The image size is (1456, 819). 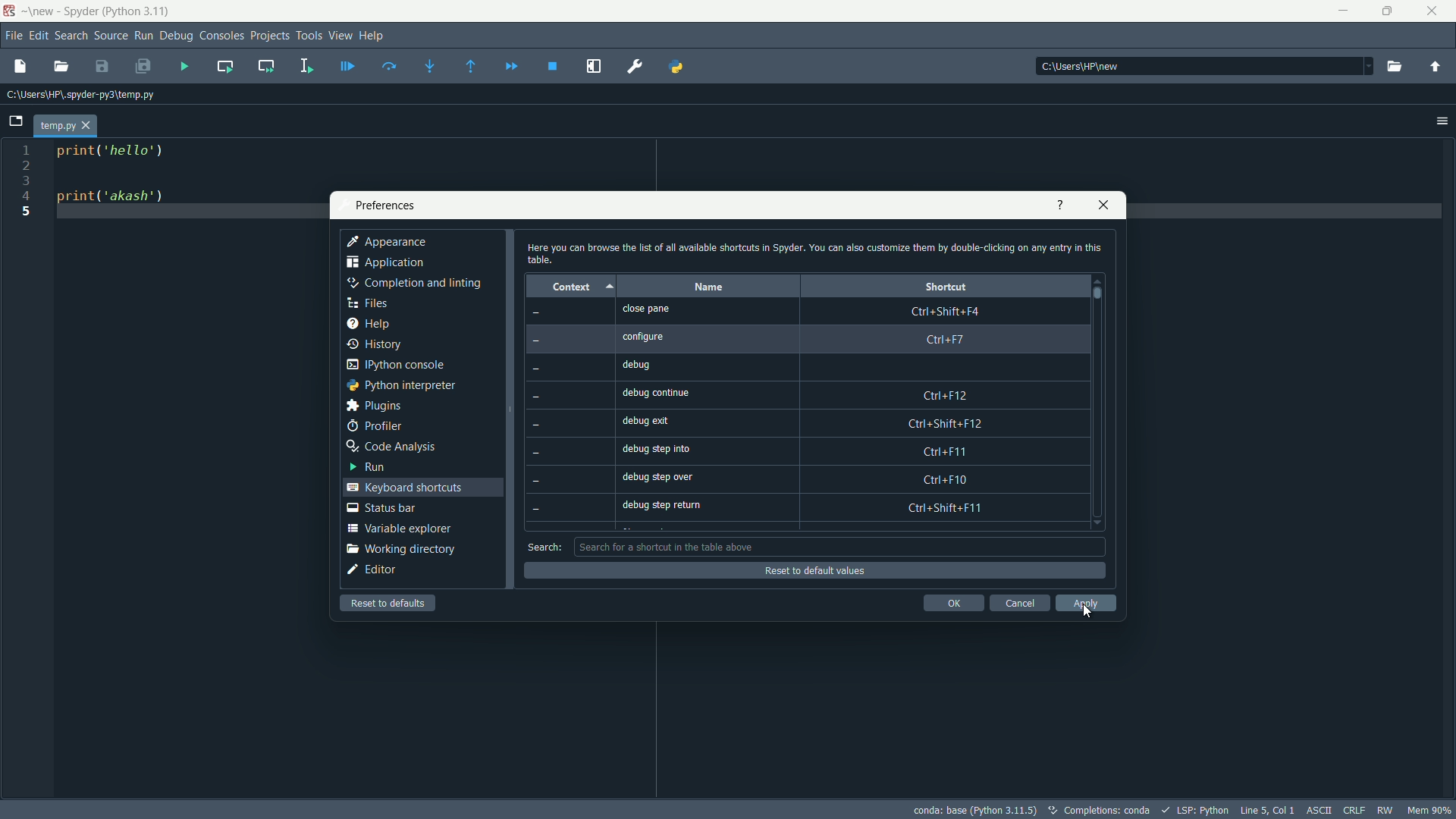 I want to click on run current cell, so click(x=224, y=65).